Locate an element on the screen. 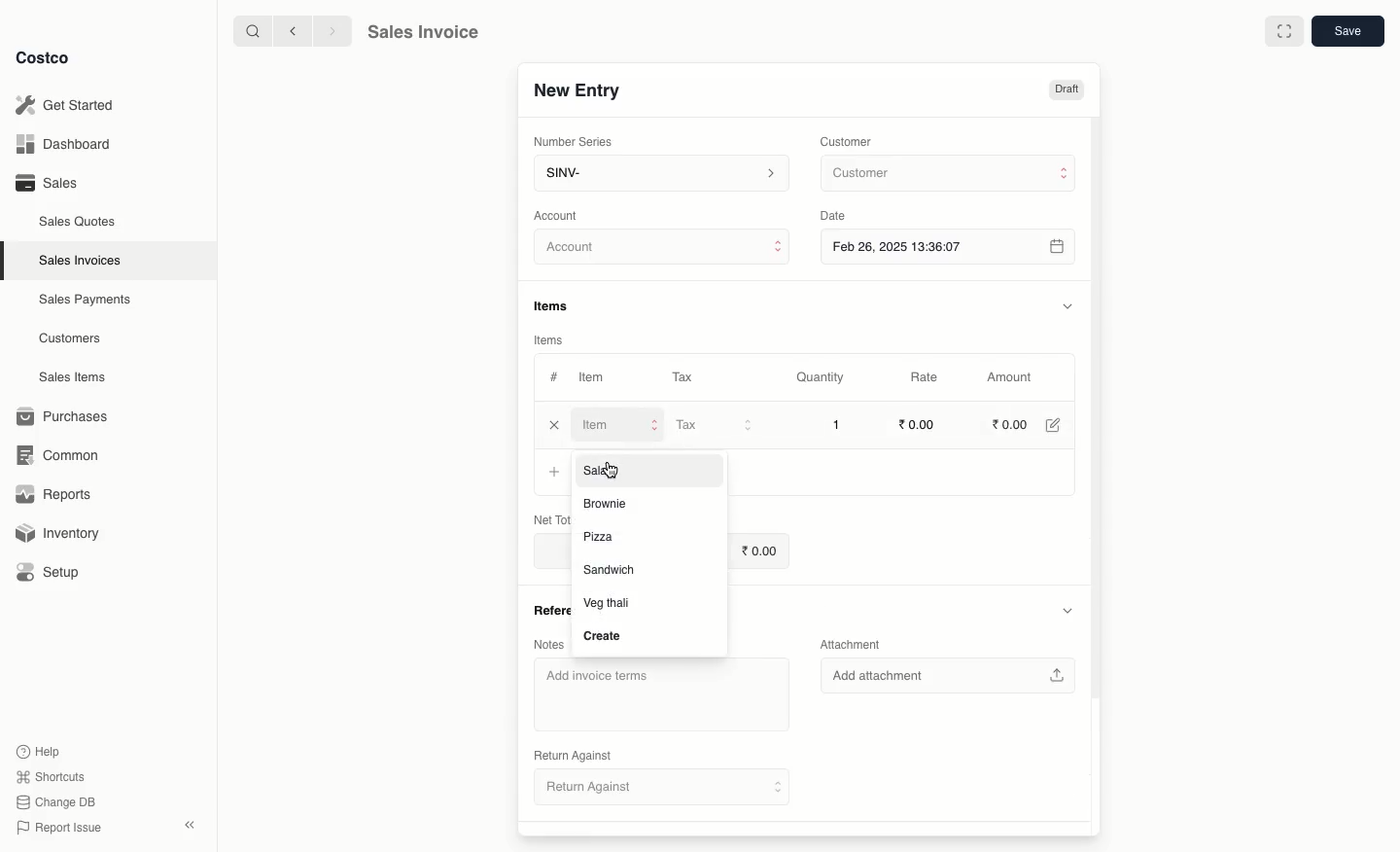  Add is located at coordinates (557, 474).